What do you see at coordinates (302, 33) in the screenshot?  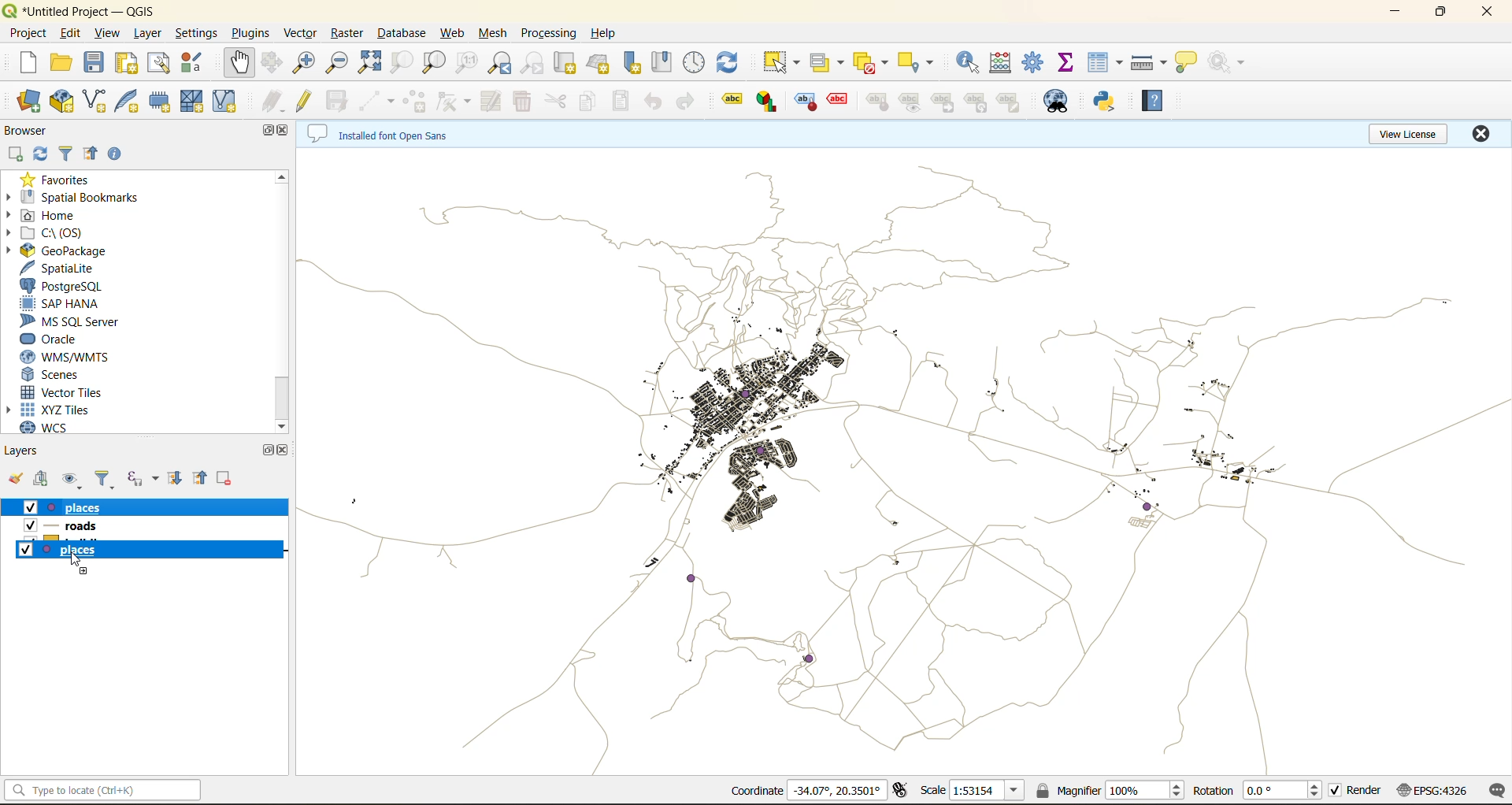 I see `vector` at bounding box center [302, 33].